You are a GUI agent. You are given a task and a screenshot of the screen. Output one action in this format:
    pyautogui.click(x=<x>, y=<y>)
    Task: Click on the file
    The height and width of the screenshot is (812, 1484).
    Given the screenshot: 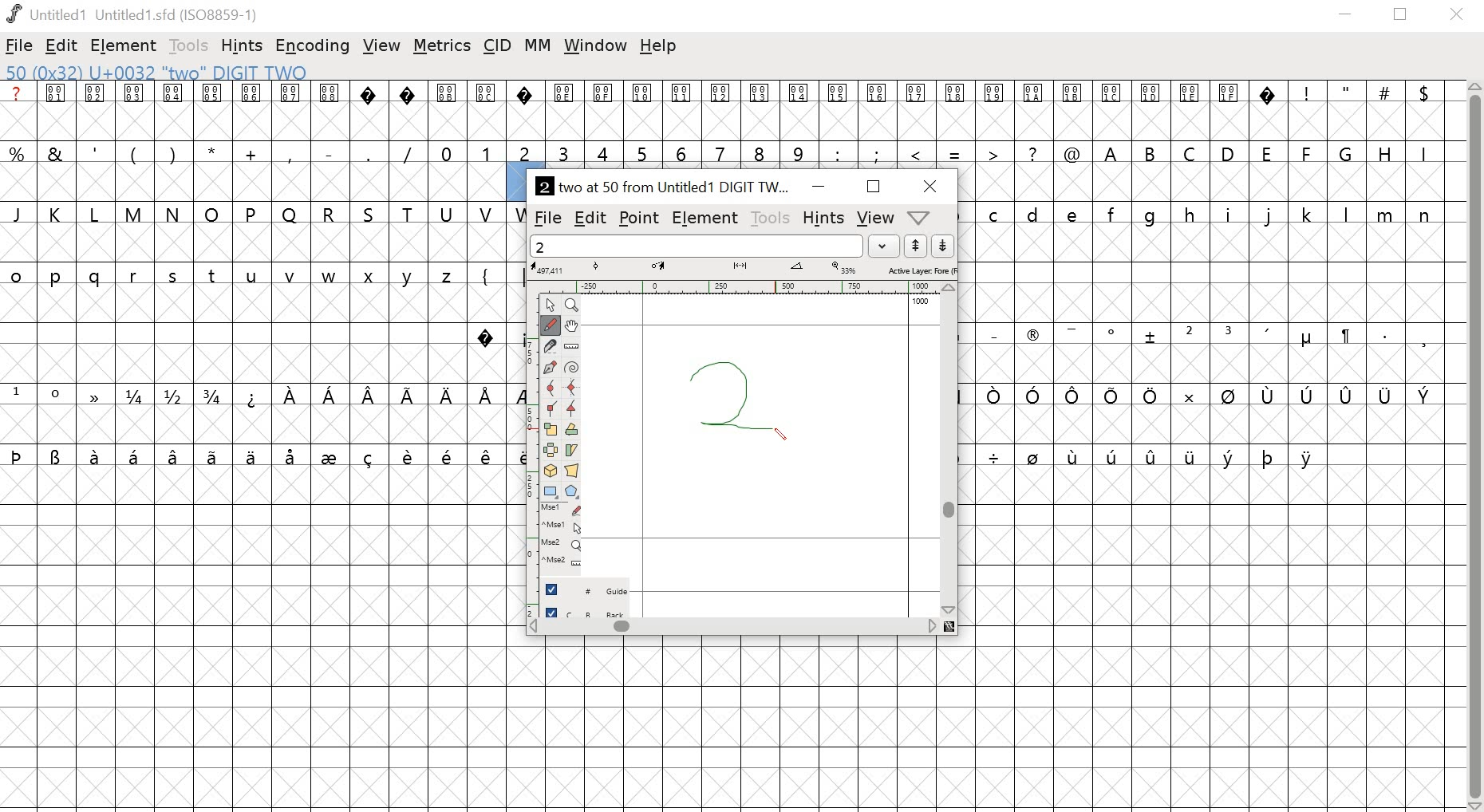 What is the action you would take?
    pyautogui.click(x=547, y=217)
    